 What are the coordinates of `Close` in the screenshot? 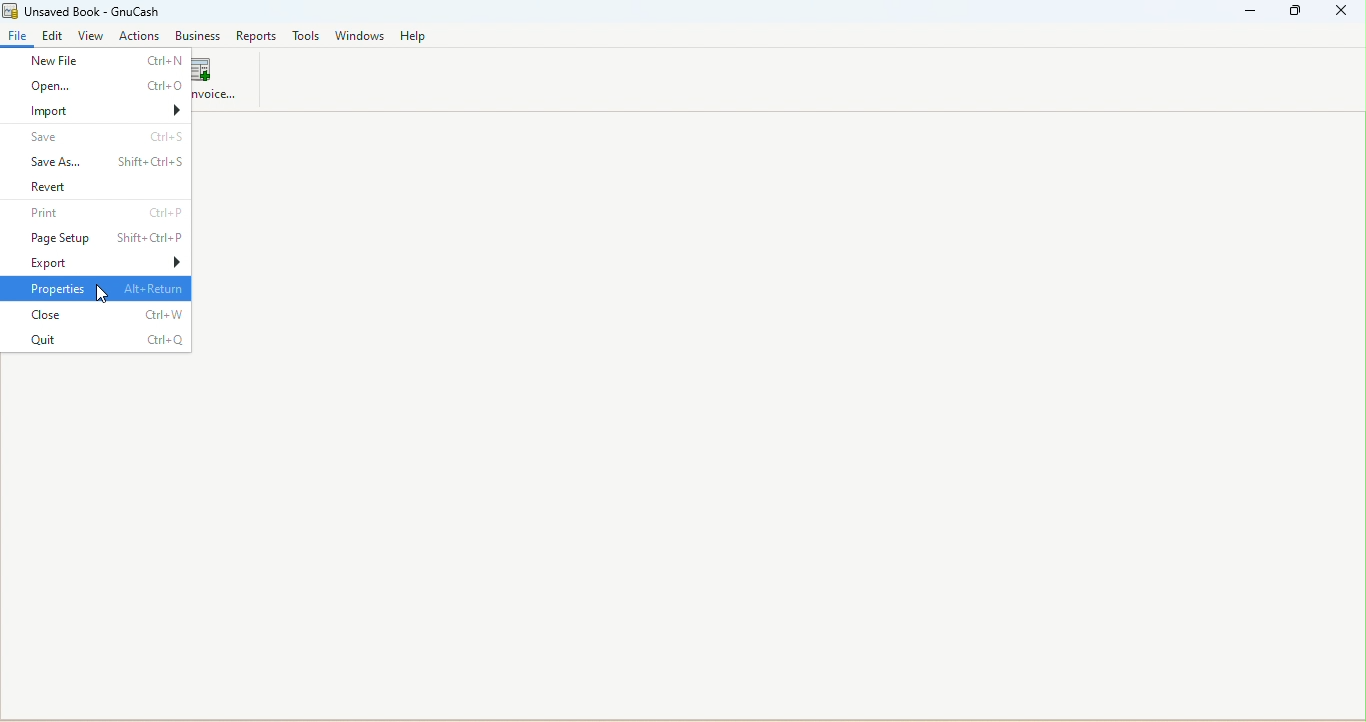 It's located at (95, 315).